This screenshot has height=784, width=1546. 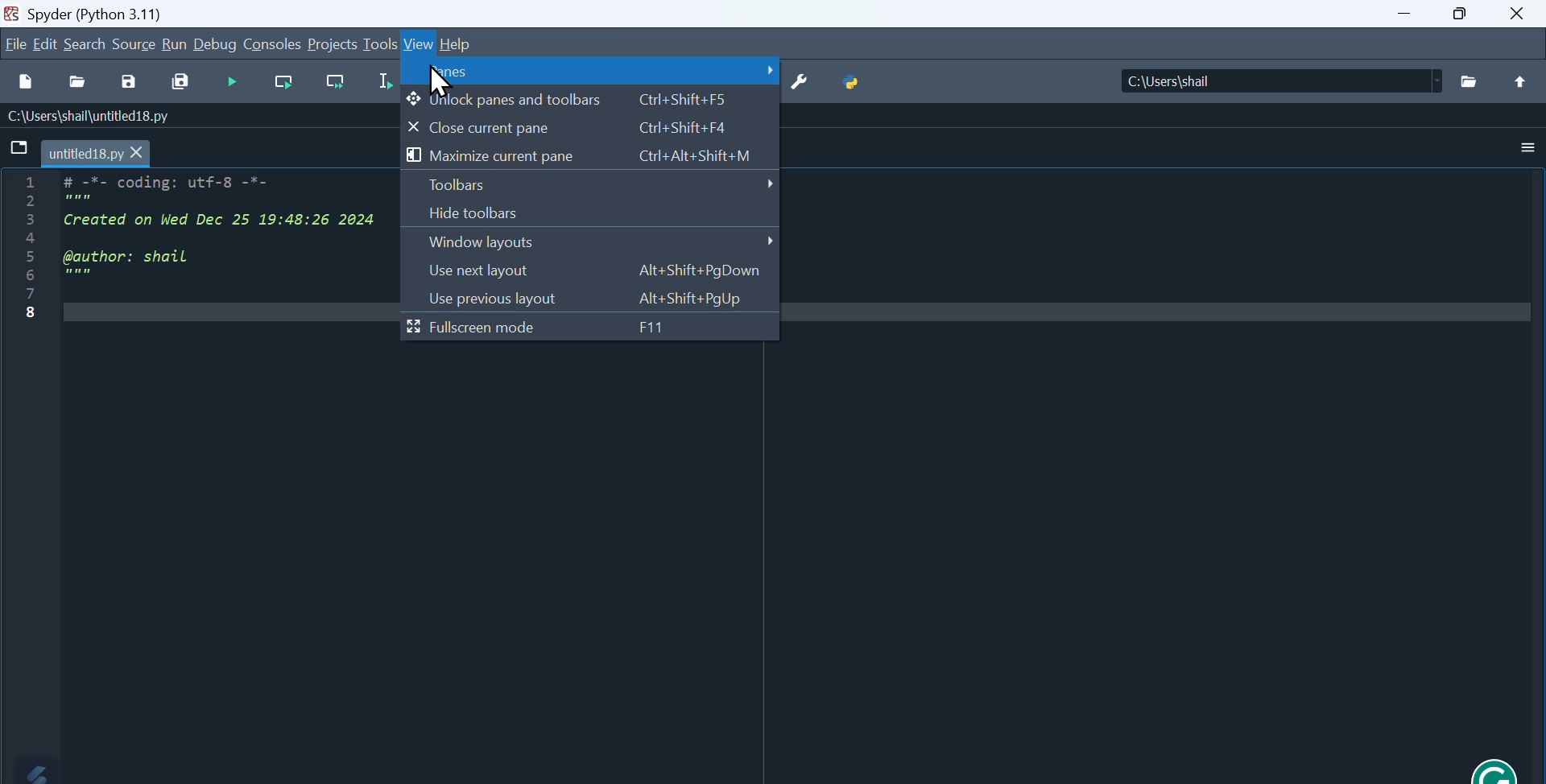 What do you see at coordinates (236, 81) in the screenshot?
I see `Run file` at bounding box center [236, 81].